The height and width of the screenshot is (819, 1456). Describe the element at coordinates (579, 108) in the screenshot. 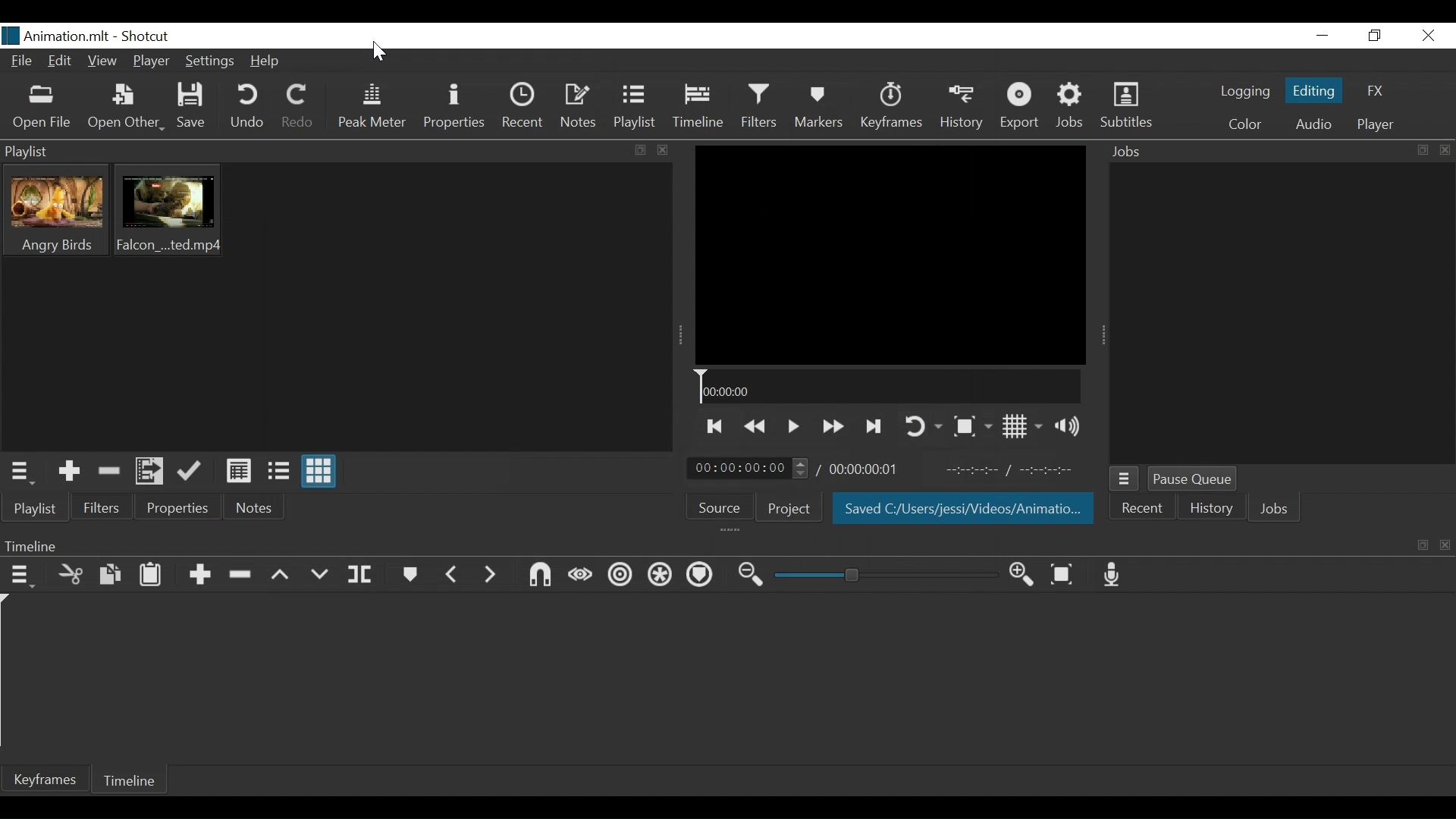

I see `Notes` at that location.